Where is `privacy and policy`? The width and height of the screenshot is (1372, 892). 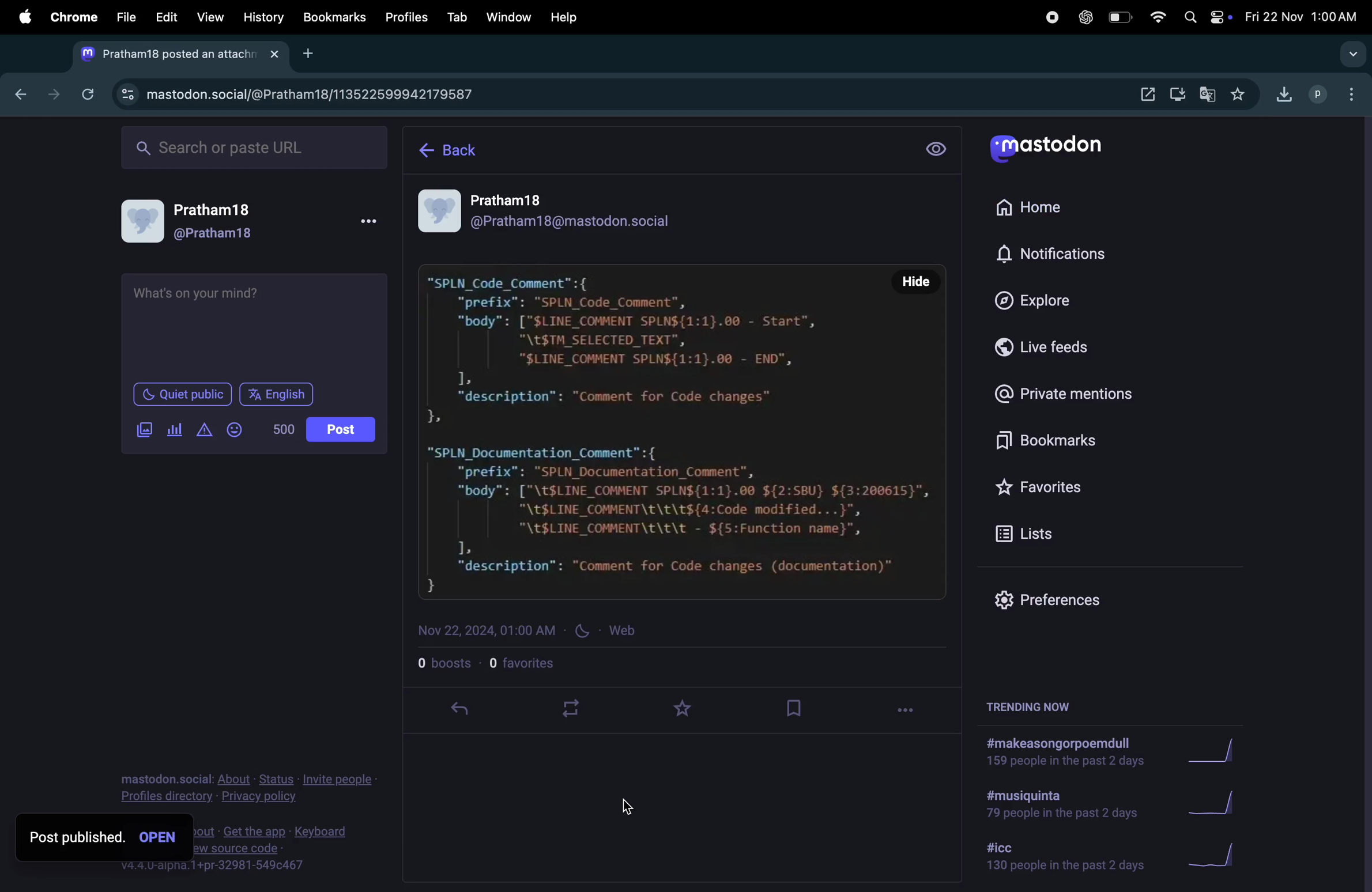 privacy and policy is located at coordinates (258, 797).